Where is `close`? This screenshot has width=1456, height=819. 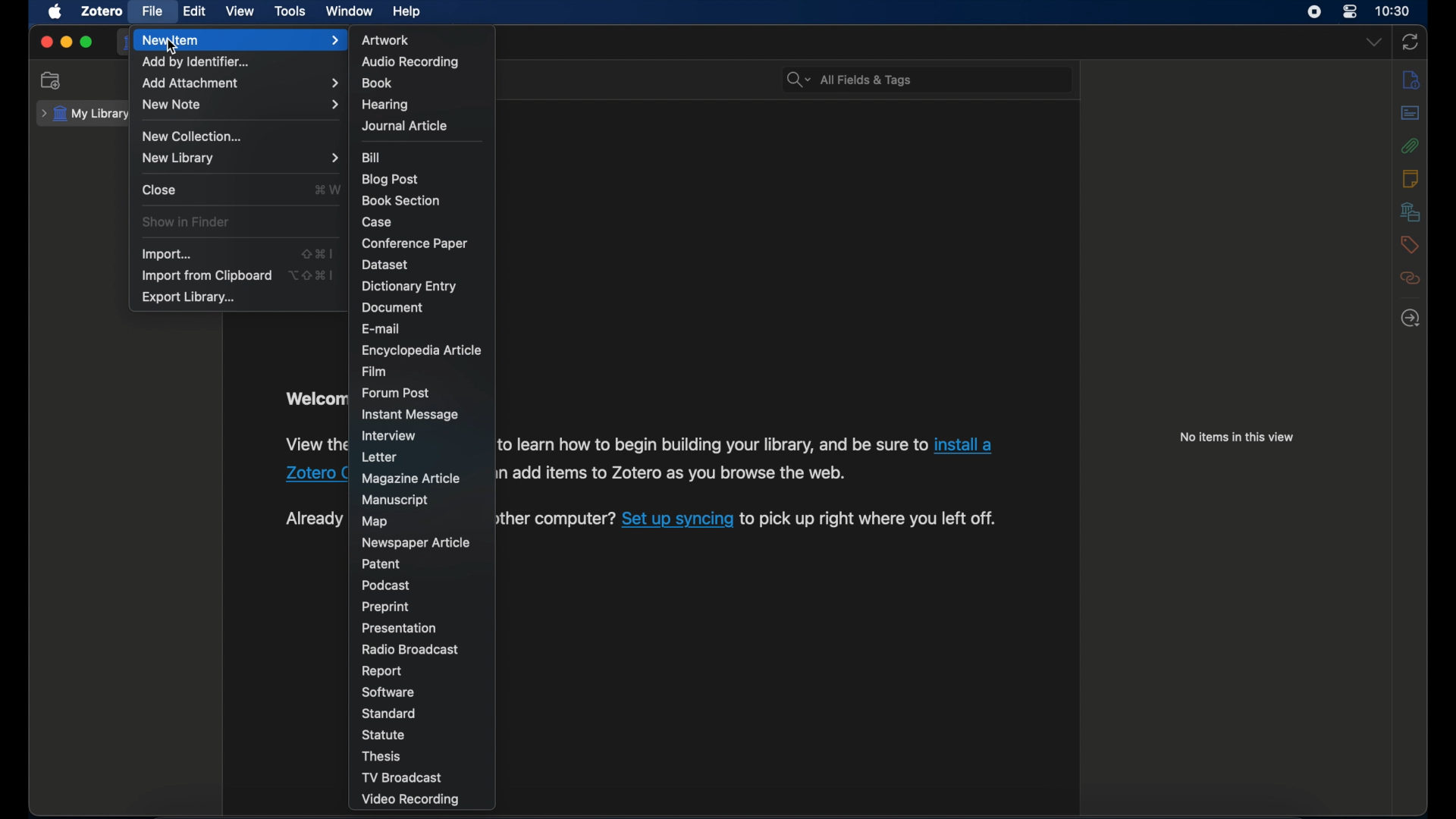
close is located at coordinates (159, 190).